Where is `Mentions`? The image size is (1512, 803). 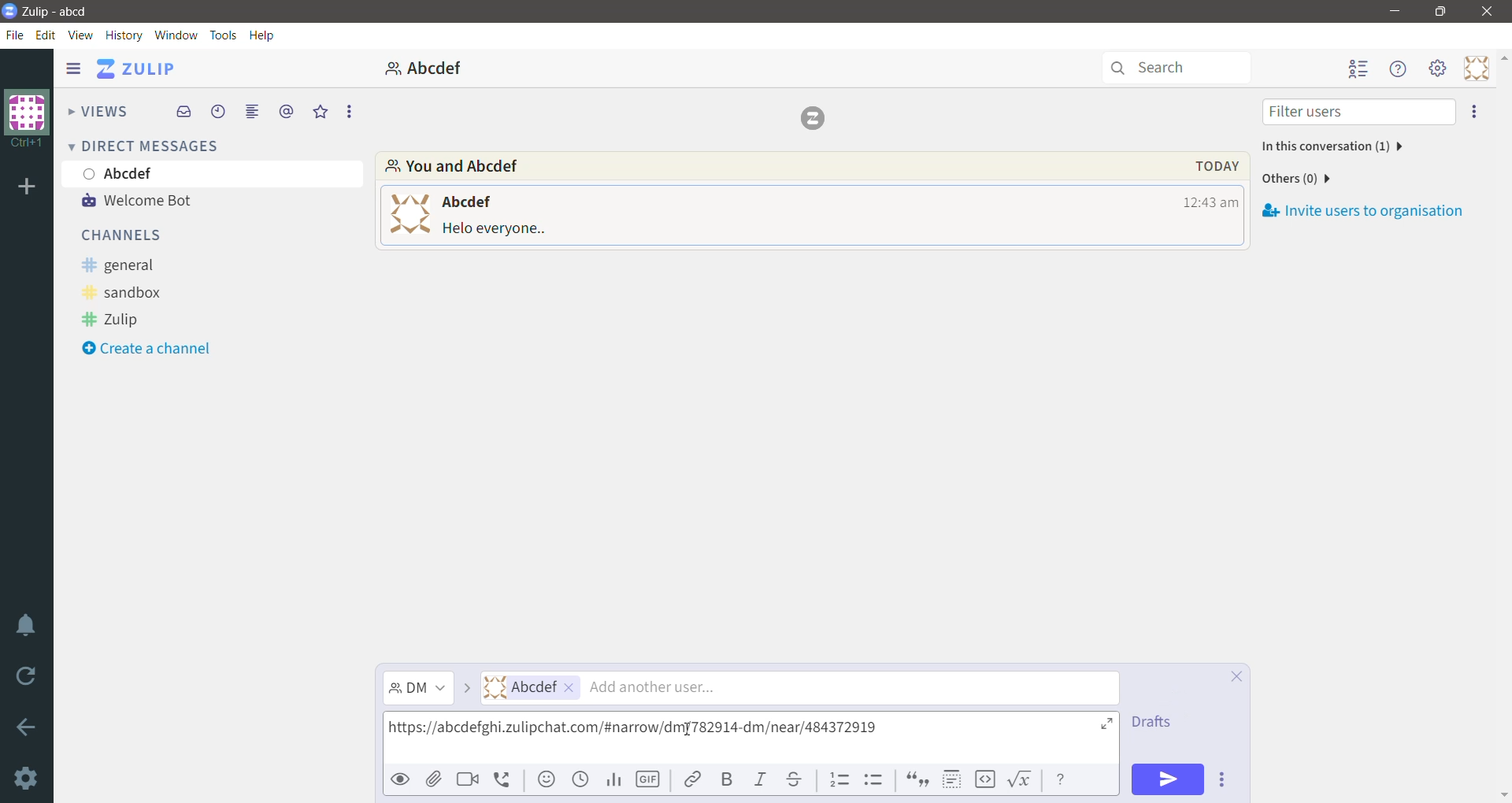
Mentions is located at coordinates (286, 111).